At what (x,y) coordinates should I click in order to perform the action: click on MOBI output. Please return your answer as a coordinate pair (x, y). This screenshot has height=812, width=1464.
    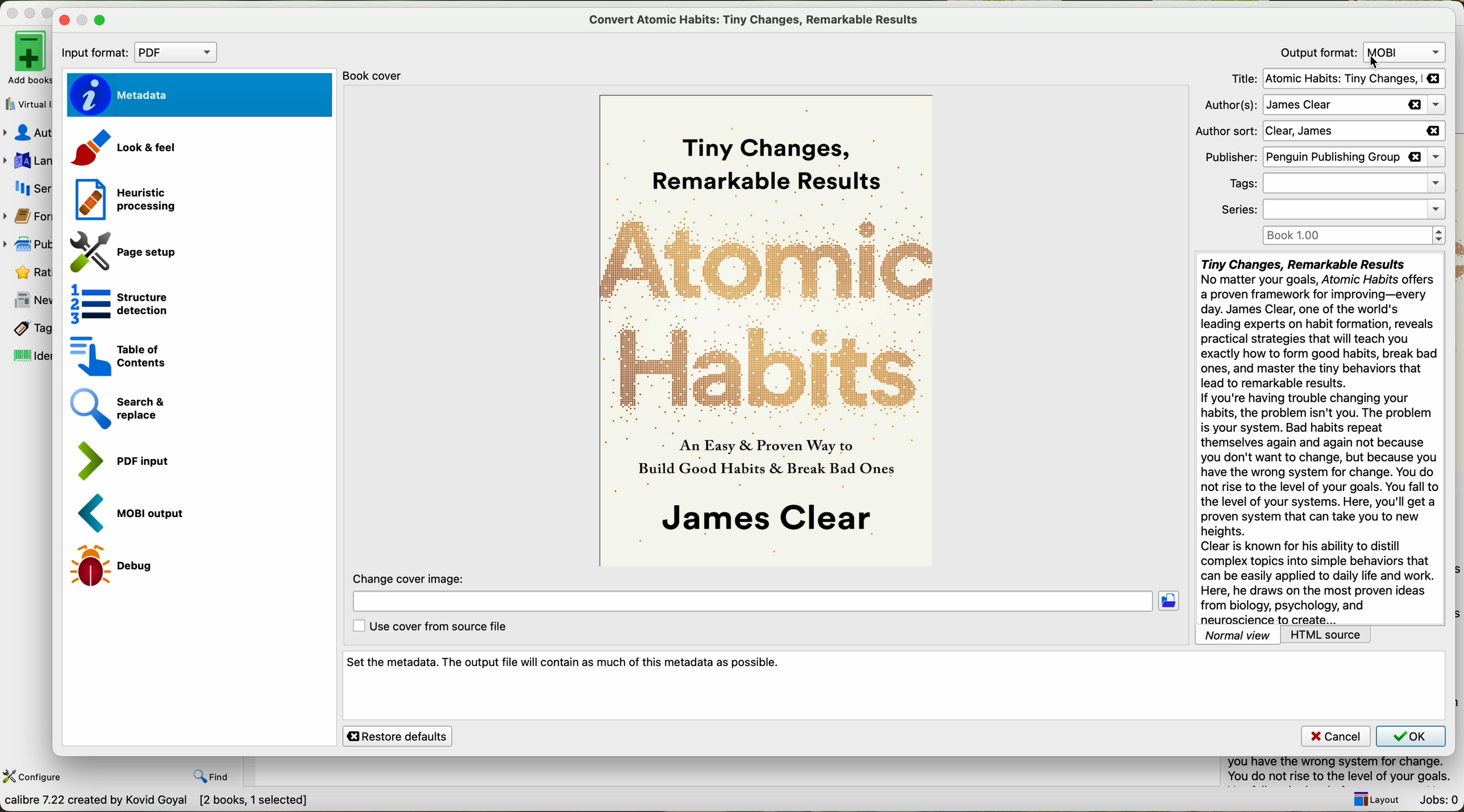
    Looking at the image, I should click on (137, 514).